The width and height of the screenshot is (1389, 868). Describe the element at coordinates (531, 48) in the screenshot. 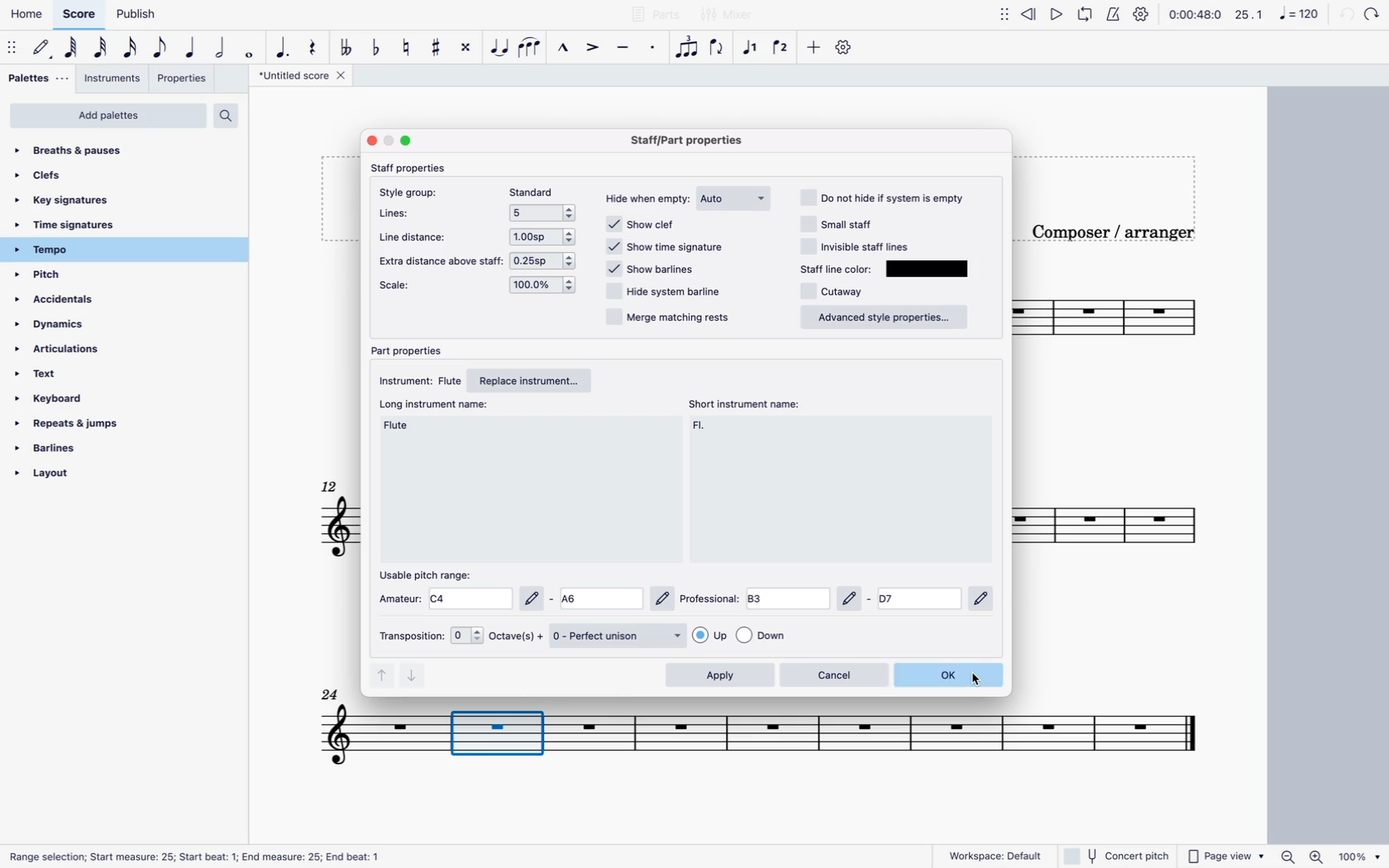

I see `slur` at that location.